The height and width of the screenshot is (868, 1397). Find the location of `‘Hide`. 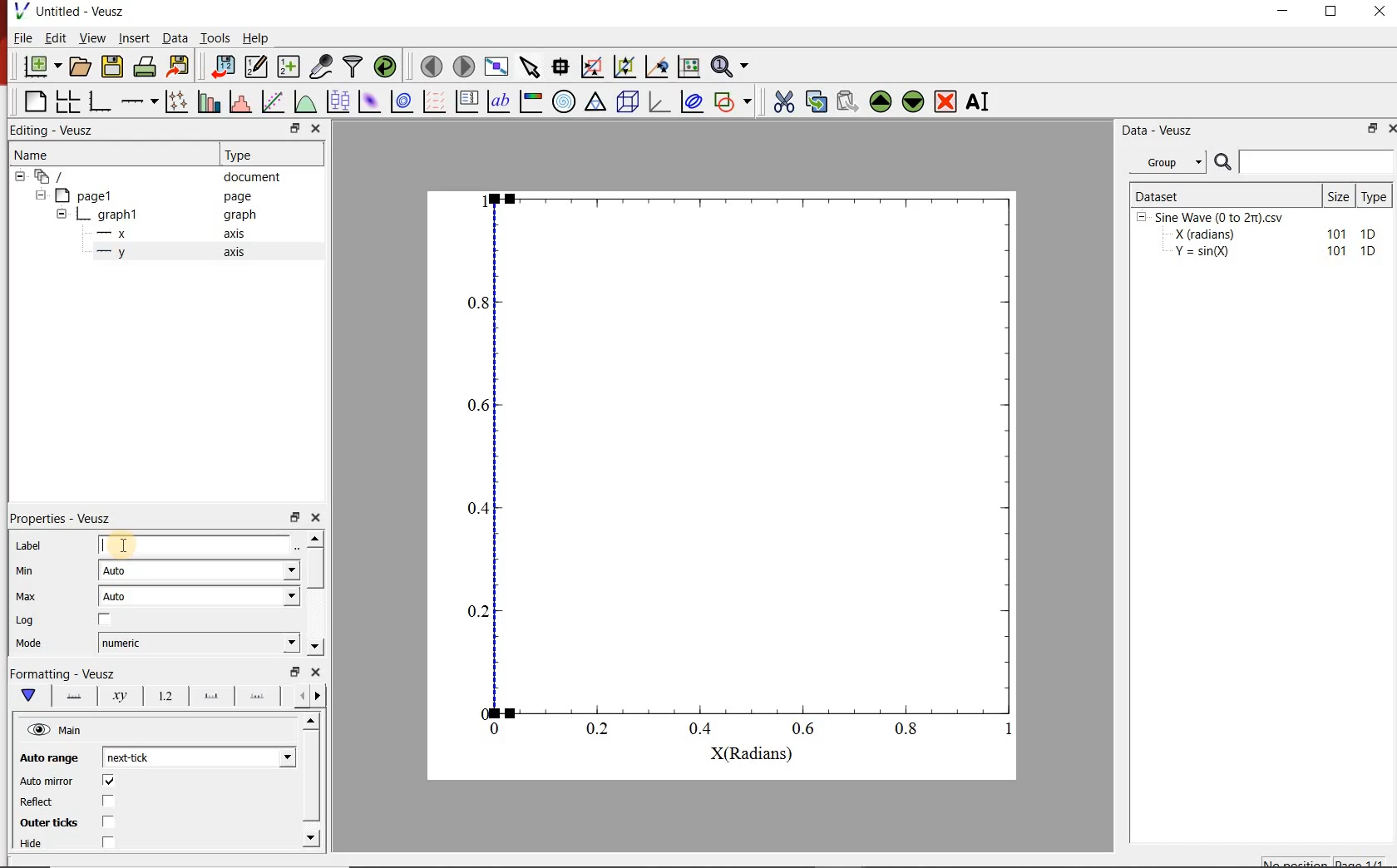

‘Hide is located at coordinates (32, 845).